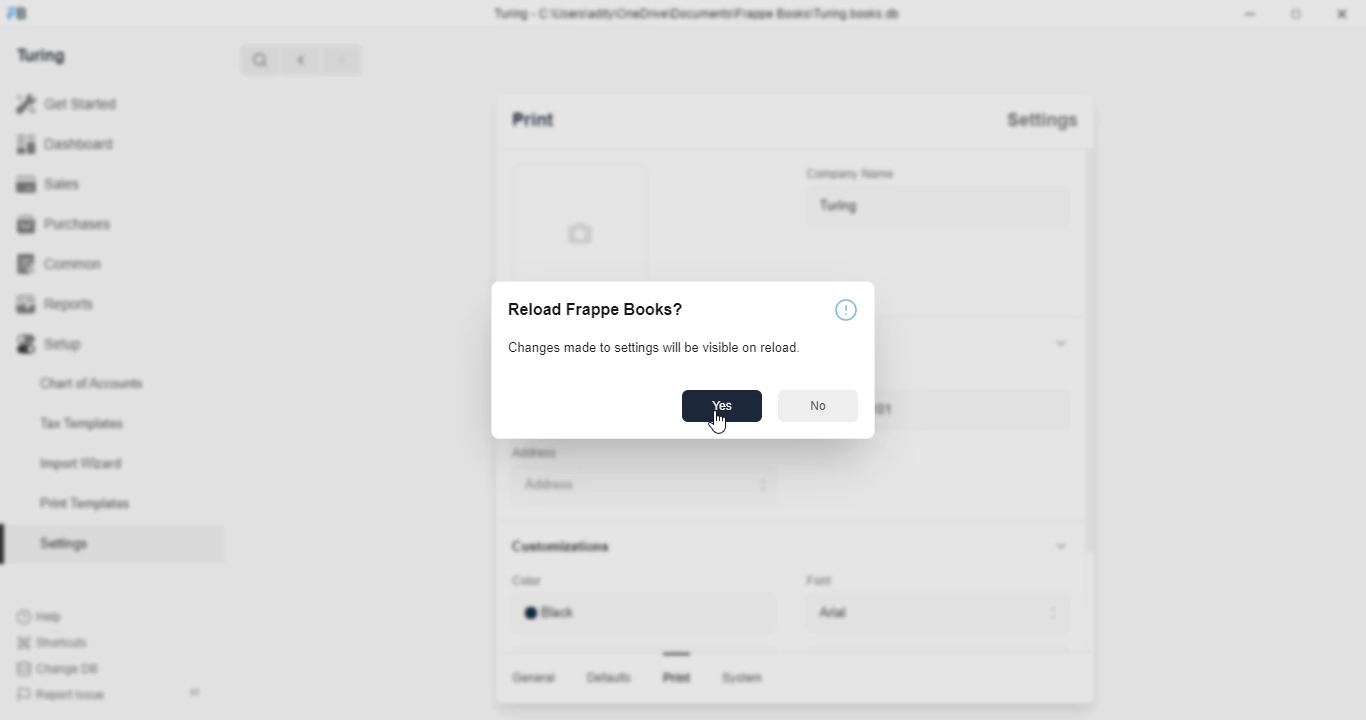 This screenshot has width=1366, height=720. I want to click on Get Started, so click(91, 102).